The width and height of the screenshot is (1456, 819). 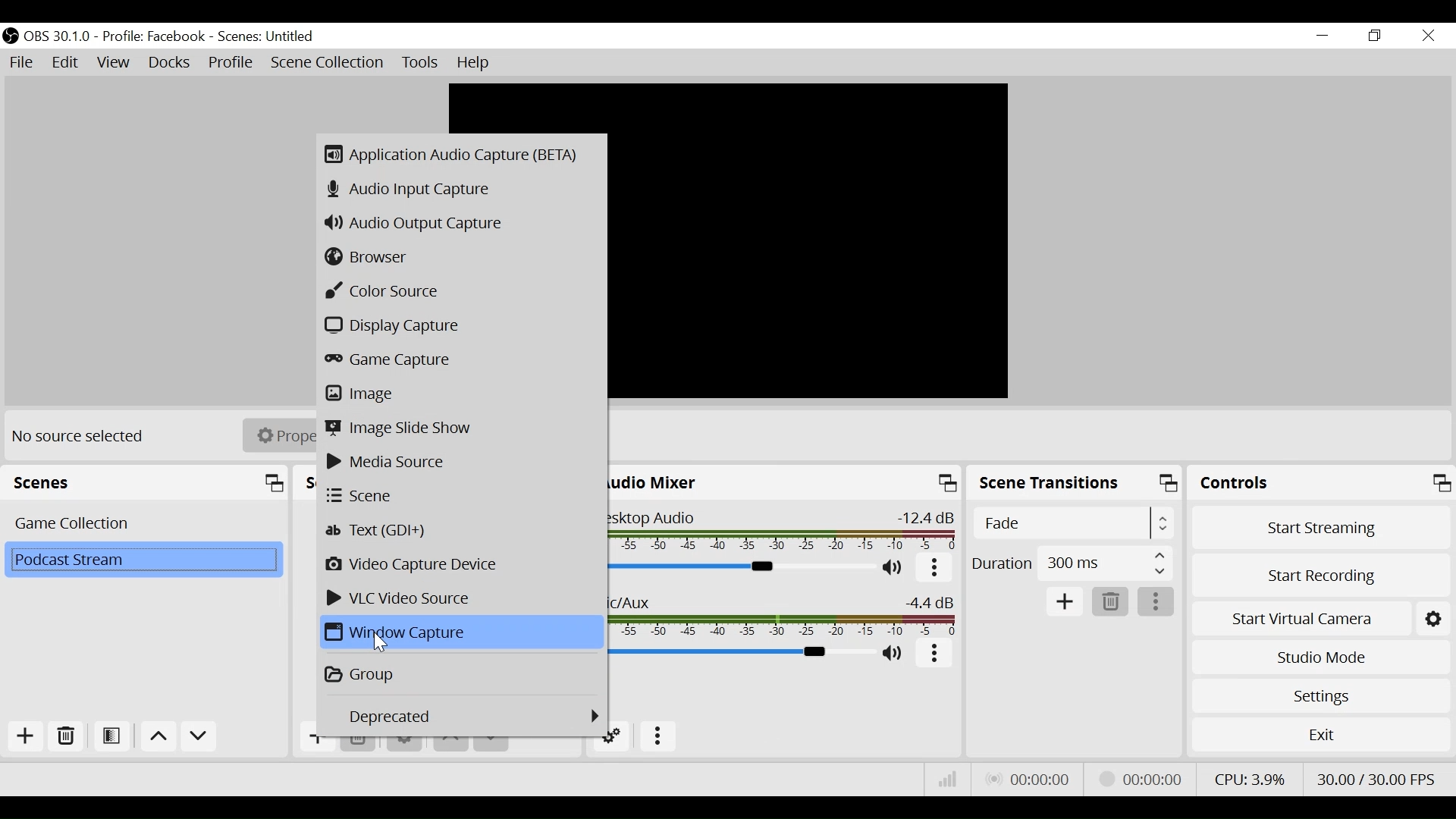 I want to click on Move up, so click(x=157, y=737).